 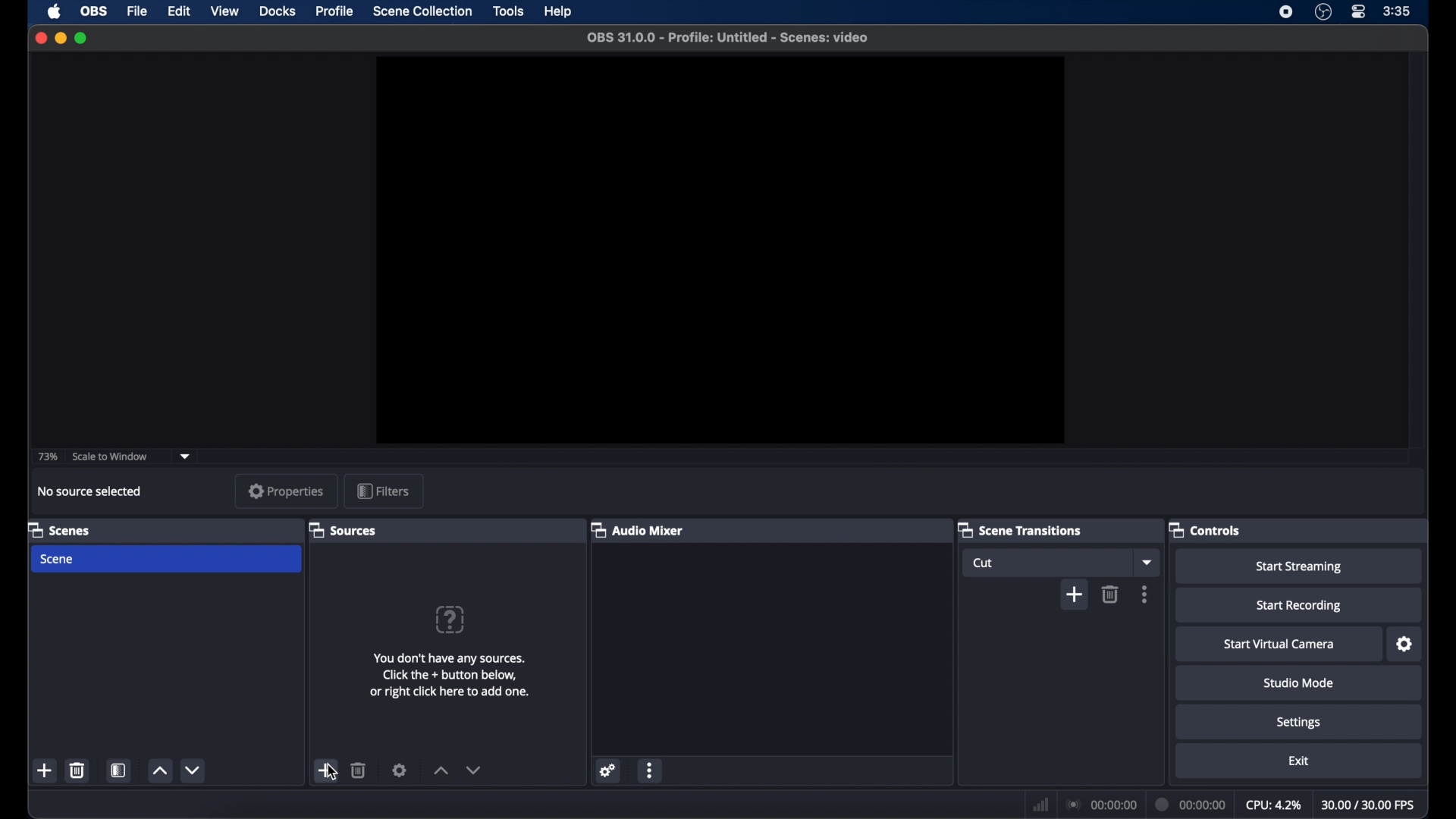 What do you see at coordinates (1145, 593) in the screenshot?
I see `more options` at bounding box center [1145, 593].